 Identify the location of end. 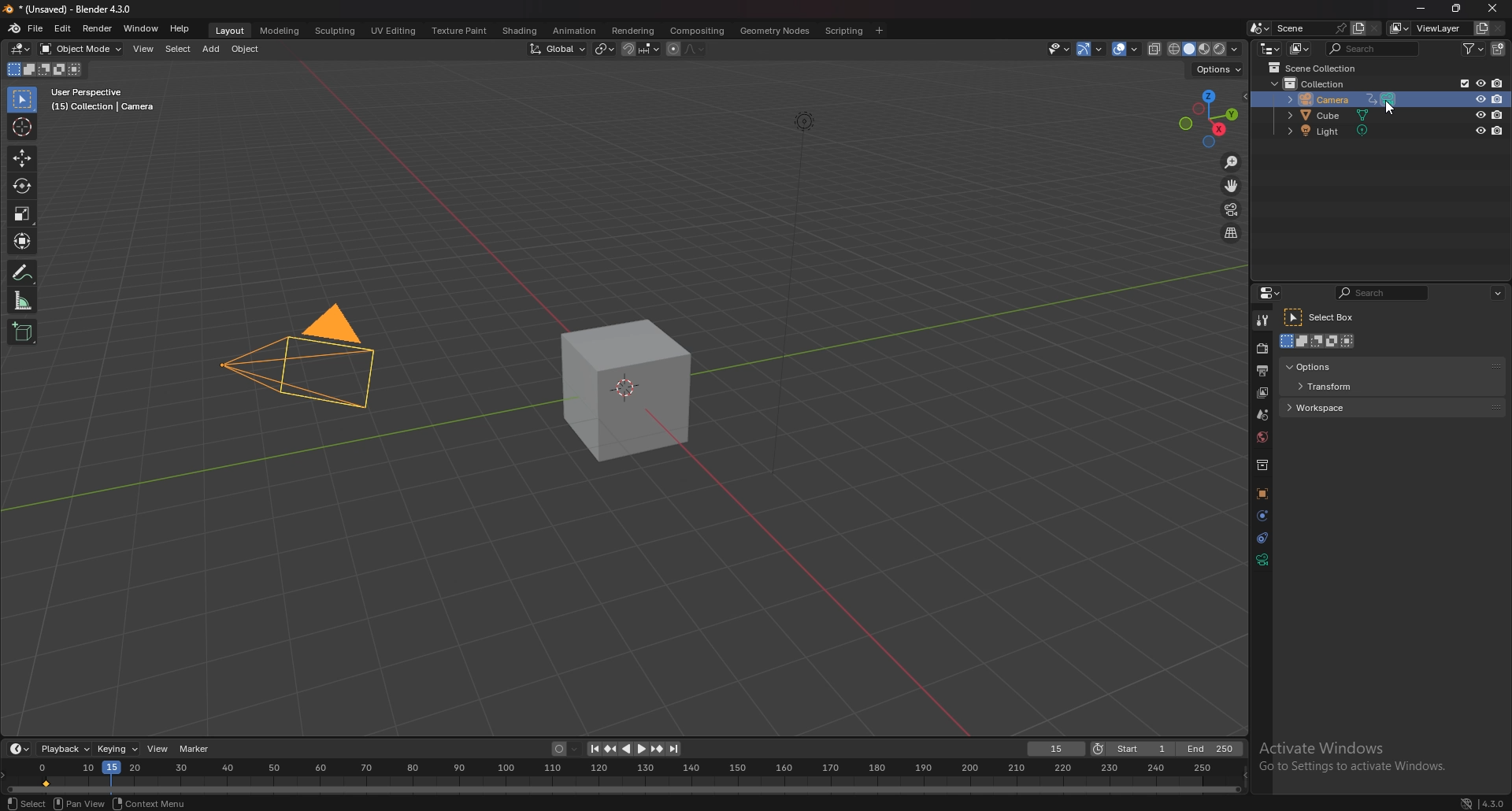
(1212, 749).